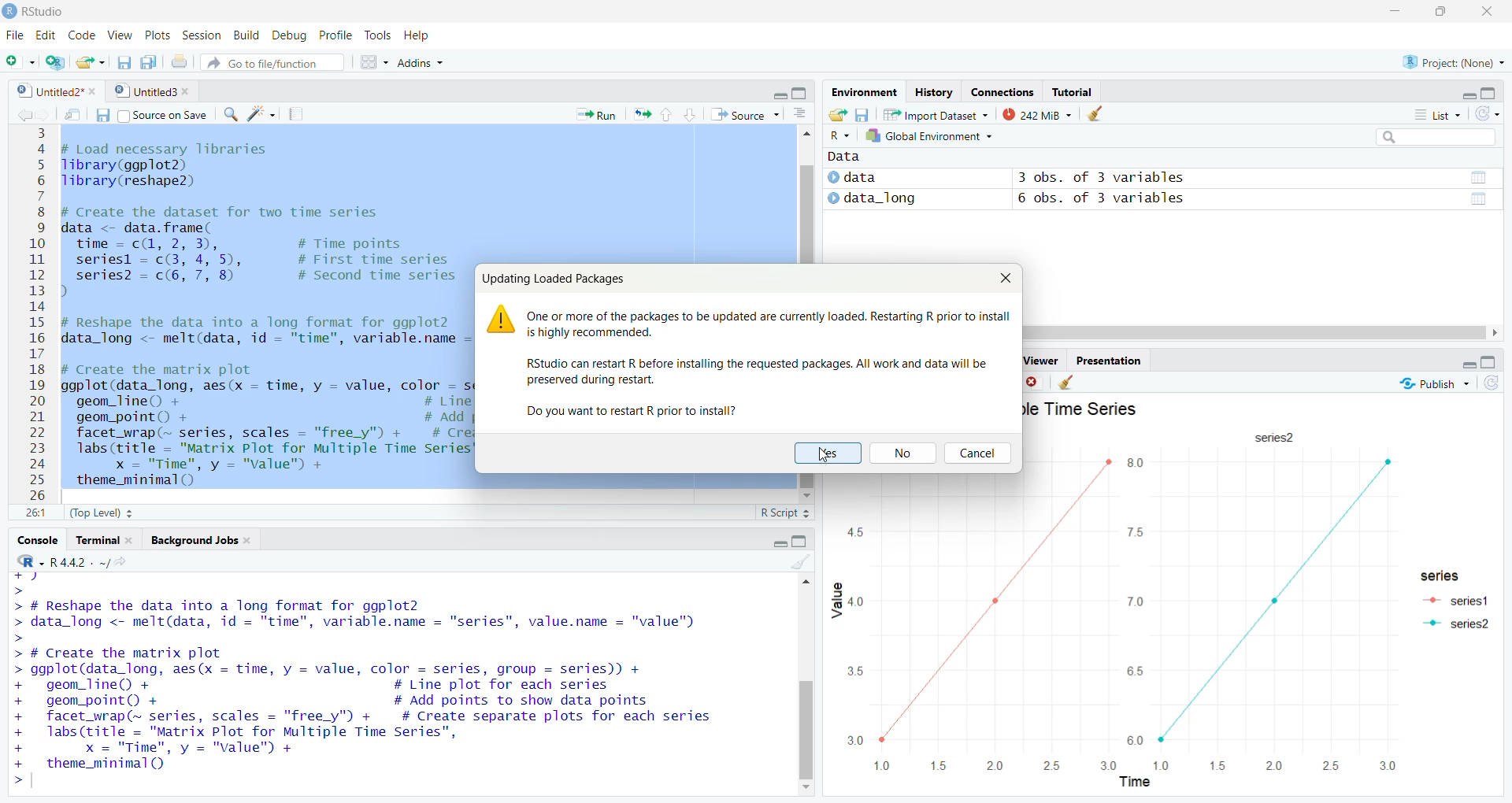 Image resolution: width=1512 pixels, height=803 pixels. I want to click on move back, so click(24, 113).